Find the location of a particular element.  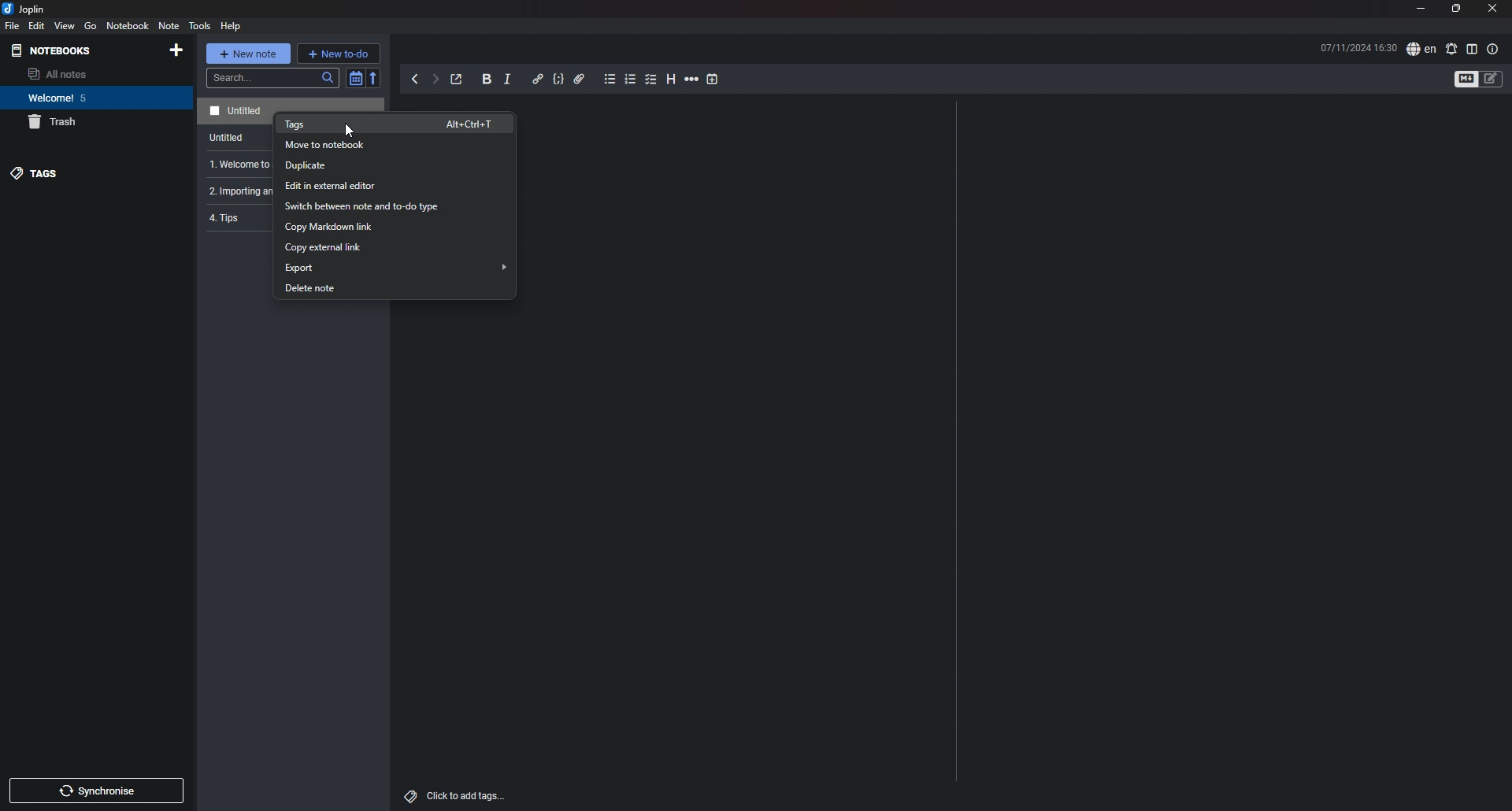

new note is located at coordinates (249, 53).